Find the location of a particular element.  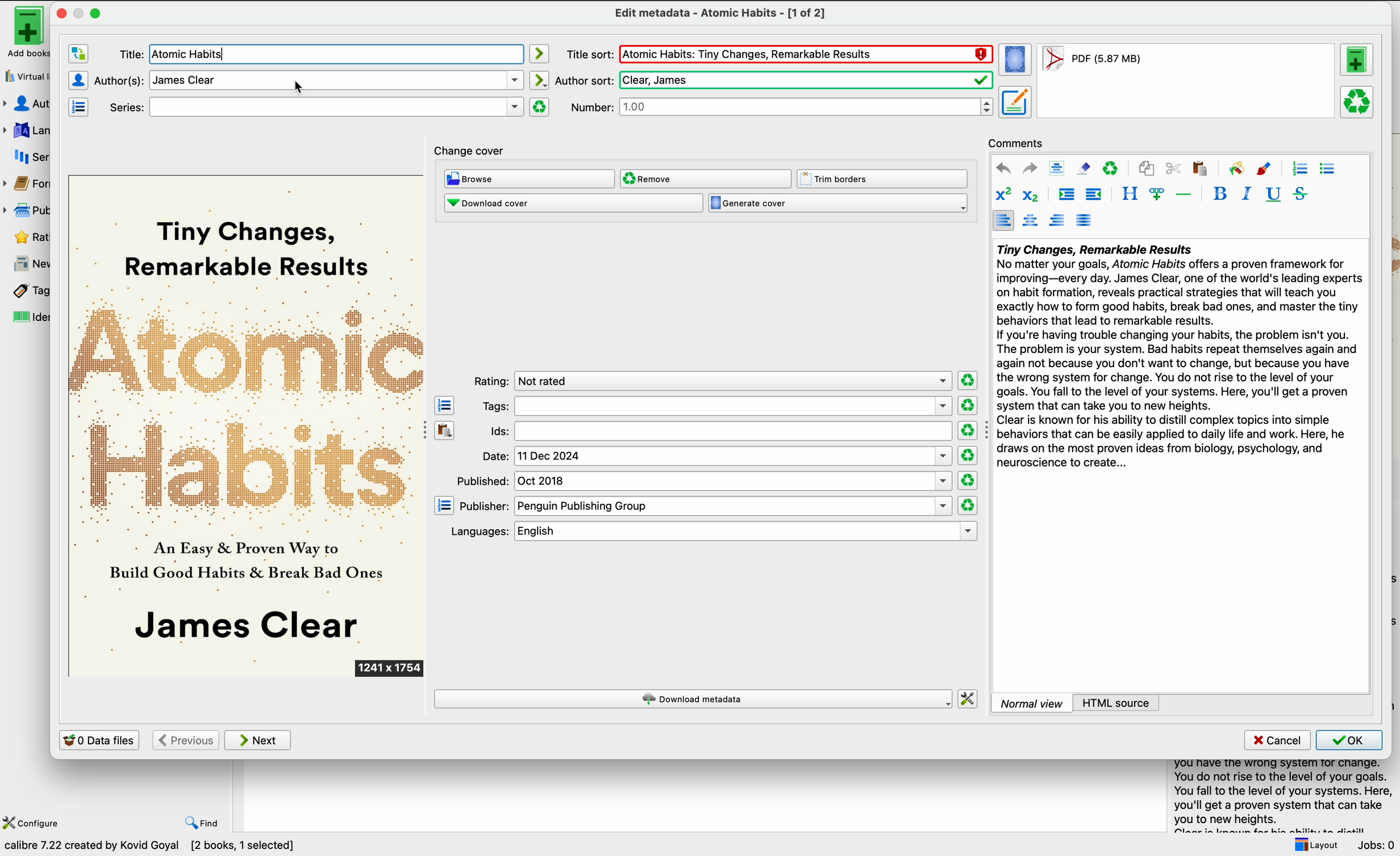

decrease indentation is located at coordinates (1095, 195).